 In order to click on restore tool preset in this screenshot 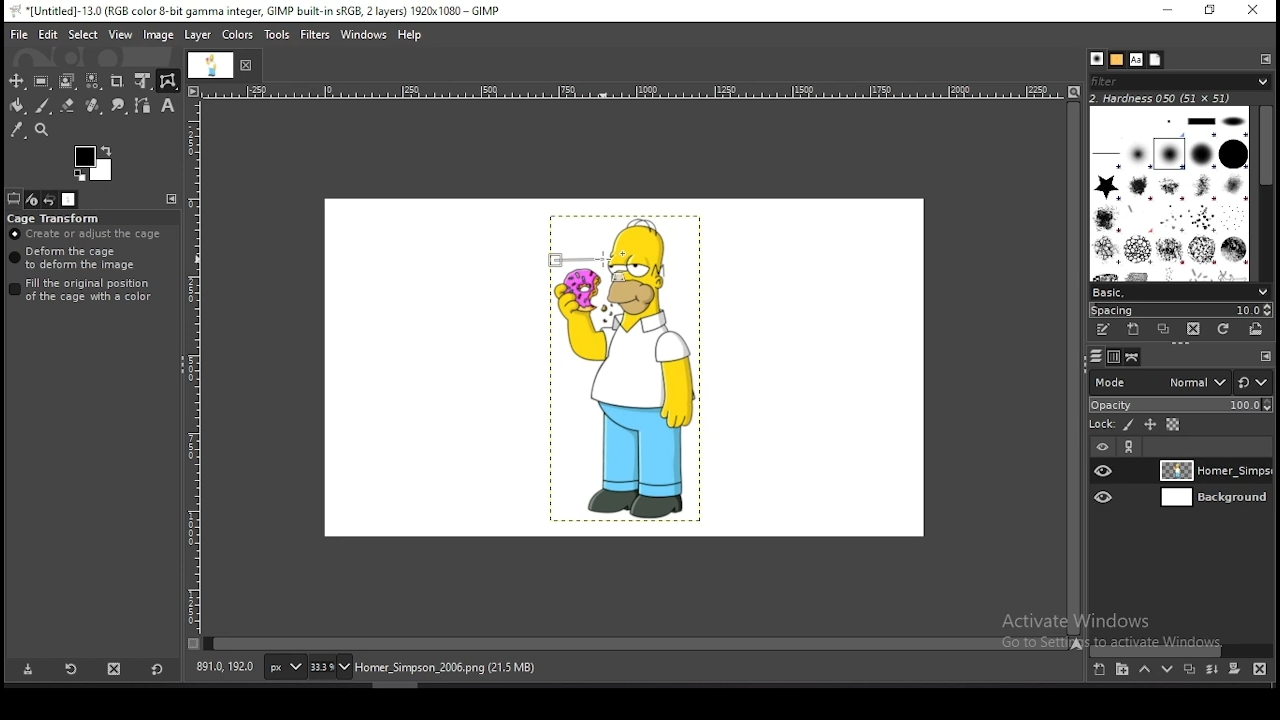, I will do `click(72, 670)`.